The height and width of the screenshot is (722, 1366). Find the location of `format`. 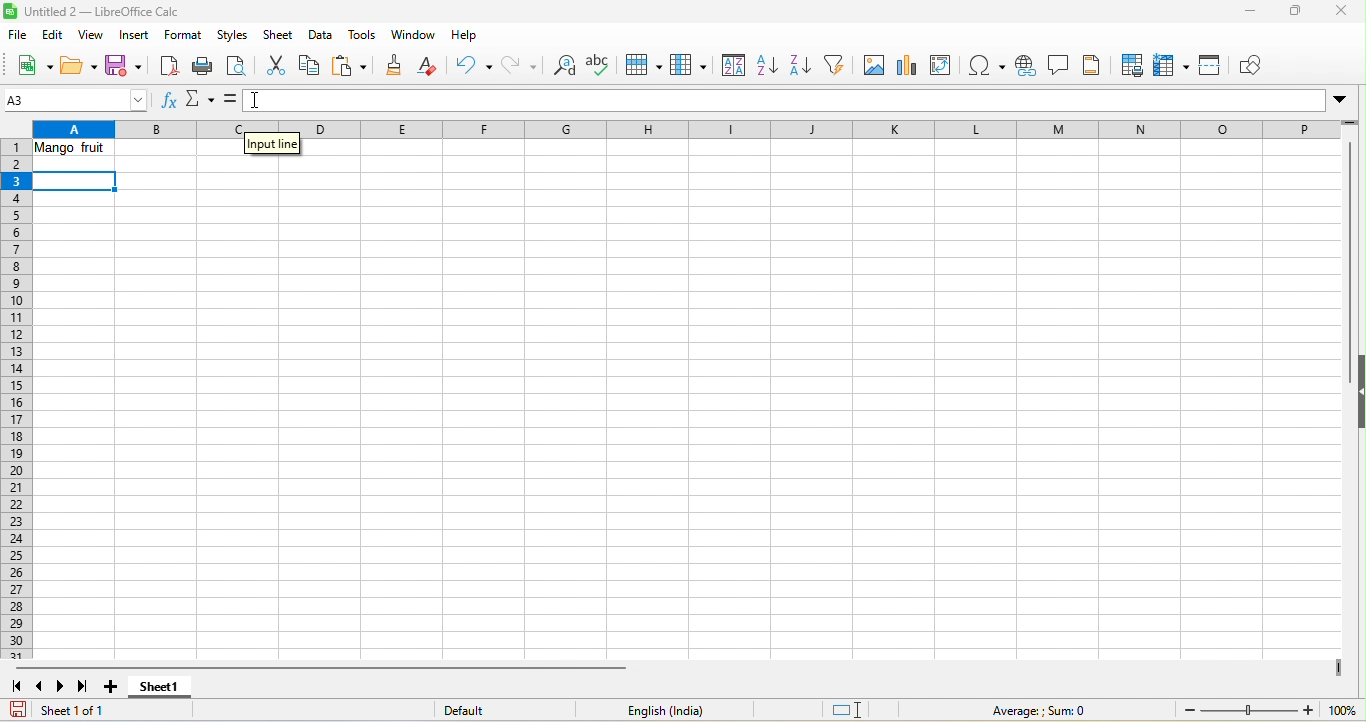

format is located at coordinates (184, 37).